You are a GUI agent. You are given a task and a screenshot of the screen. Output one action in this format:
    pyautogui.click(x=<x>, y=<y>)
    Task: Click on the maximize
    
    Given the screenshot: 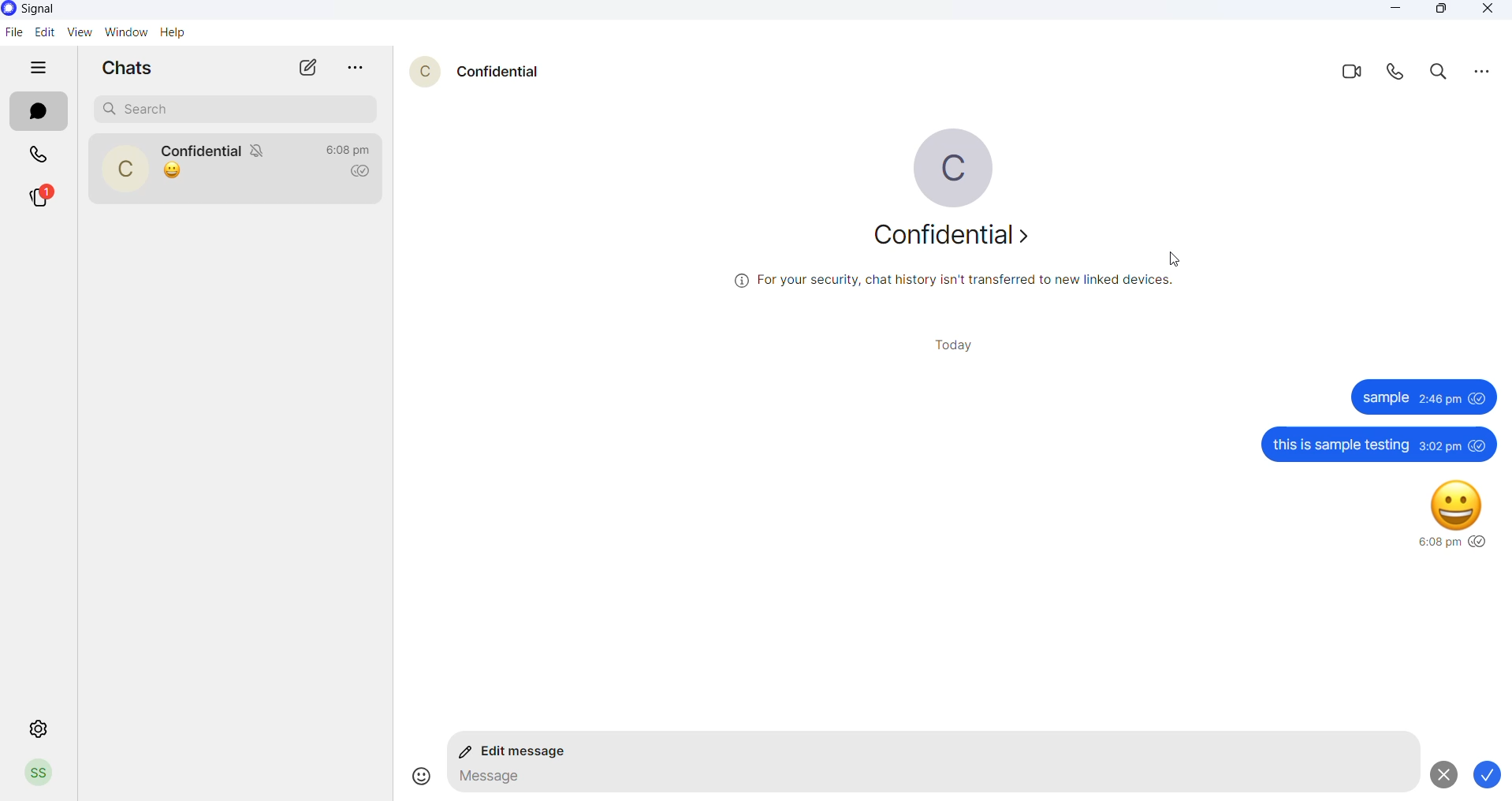 What is the action you would take?
    pyautogui.click(x=1444, y=12)
    